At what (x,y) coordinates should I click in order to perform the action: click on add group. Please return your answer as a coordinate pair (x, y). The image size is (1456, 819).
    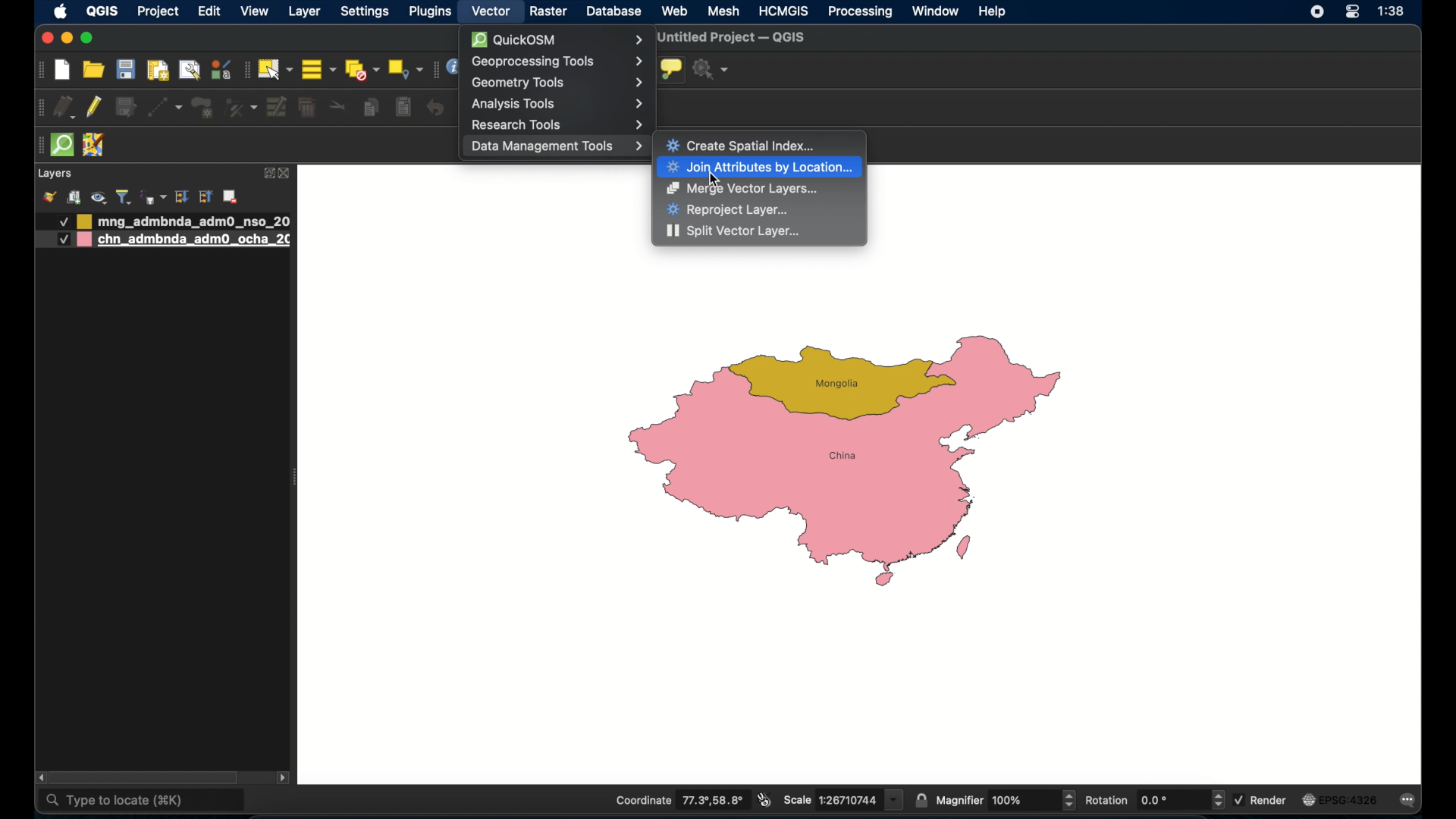
    Looking at the image, I should click on (74, 198).